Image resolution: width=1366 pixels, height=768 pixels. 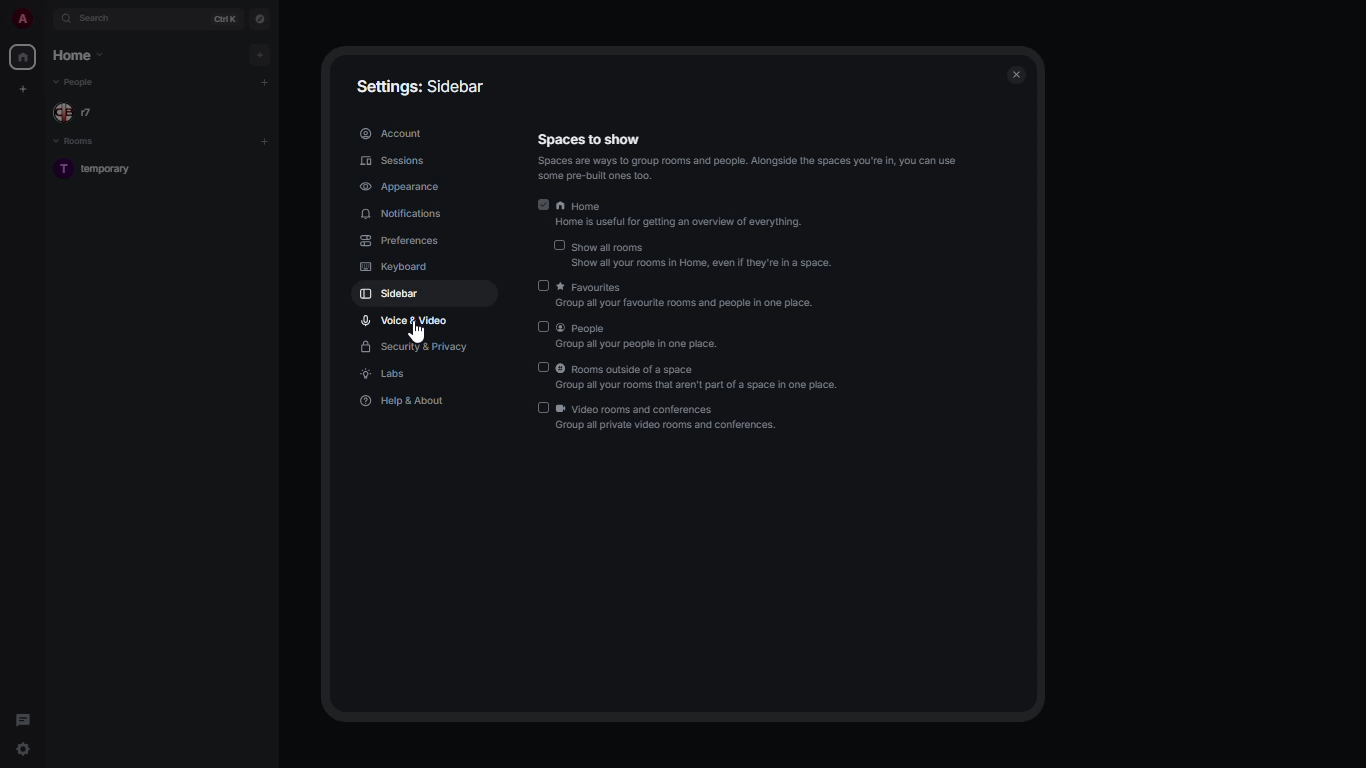 What do you see at coordinates (23, 716) in the screenshot?
I see `threads` at bounding box center [23, 716].